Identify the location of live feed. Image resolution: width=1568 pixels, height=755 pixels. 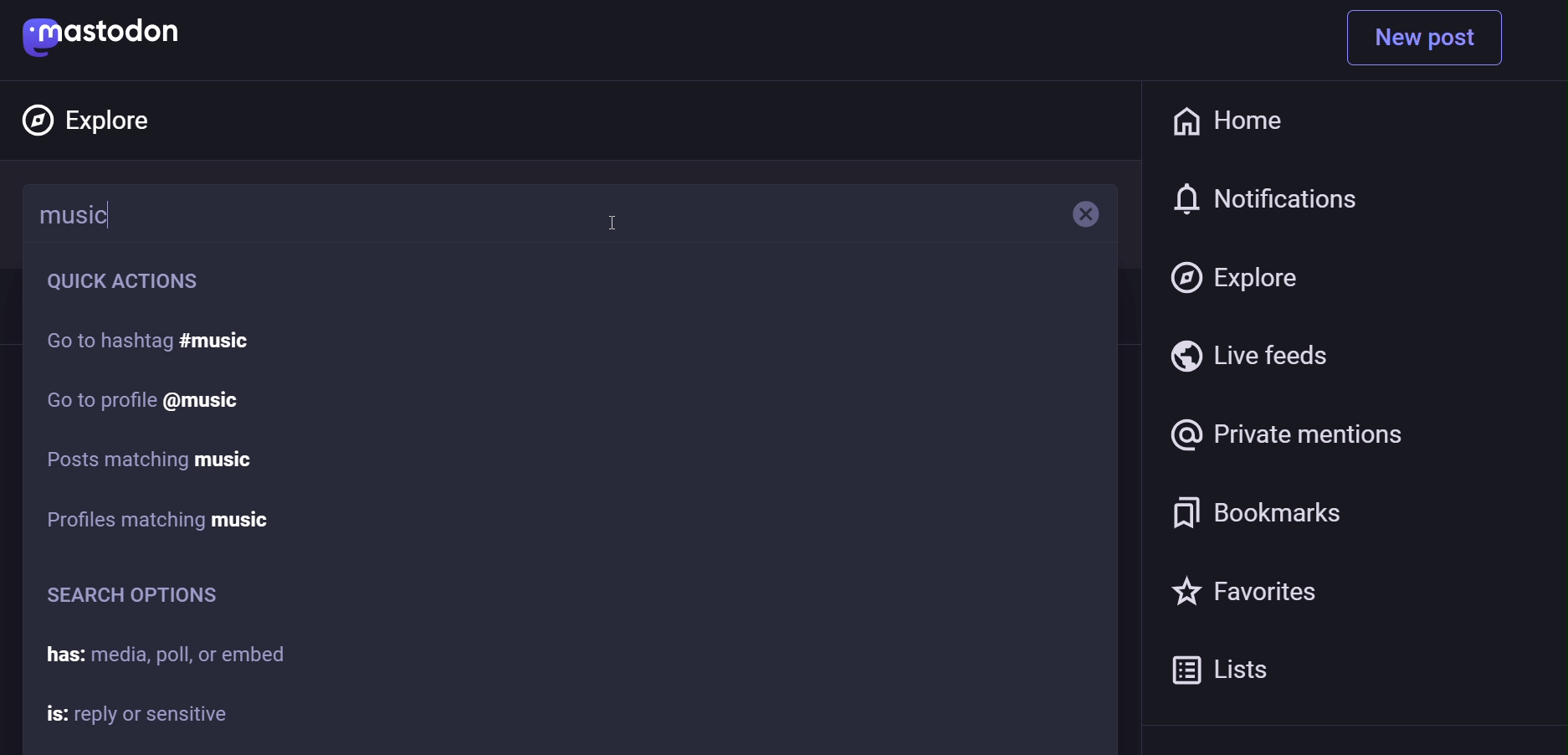
(1252, 355).